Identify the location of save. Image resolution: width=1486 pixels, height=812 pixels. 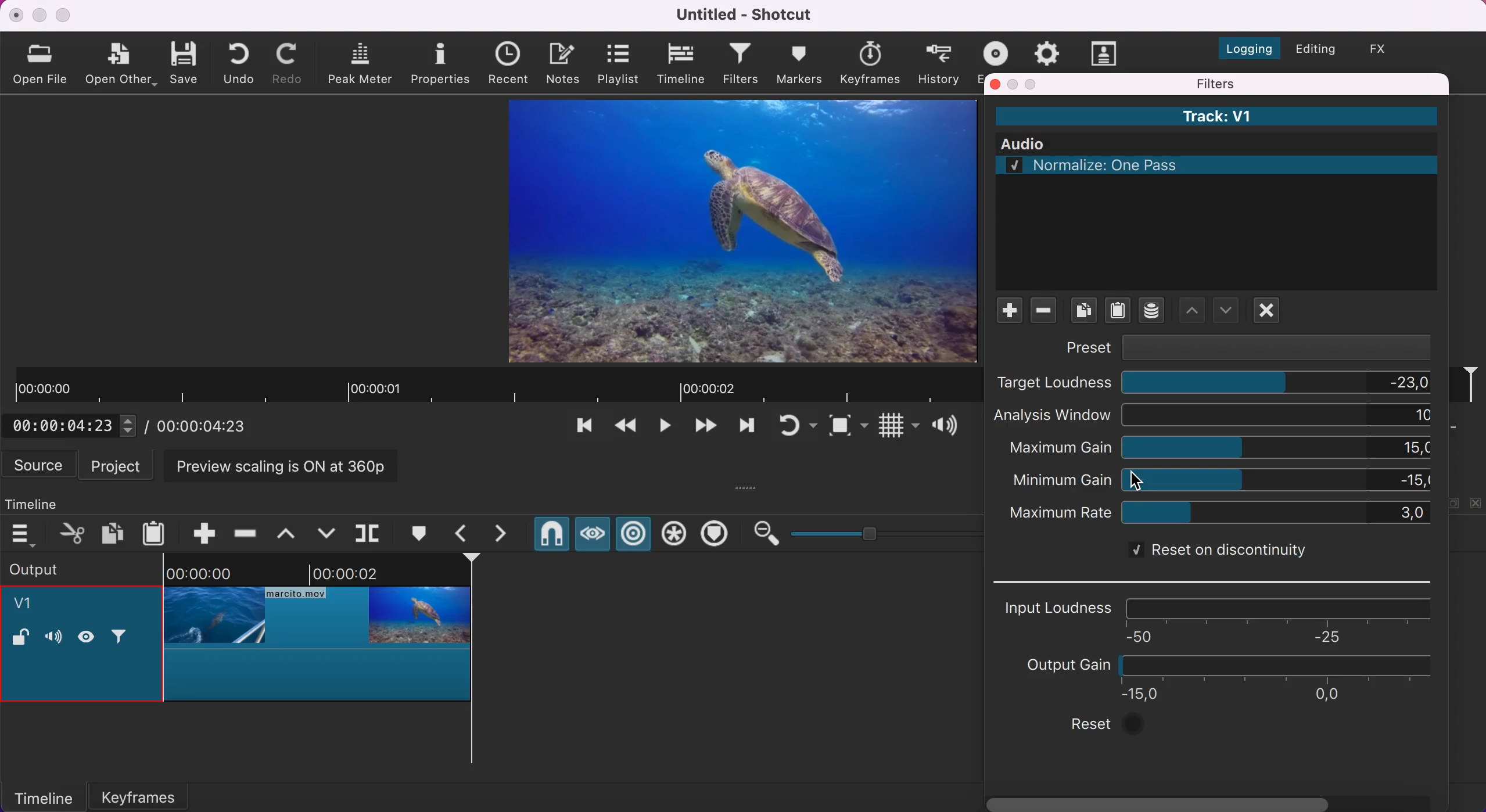
(186, 62).